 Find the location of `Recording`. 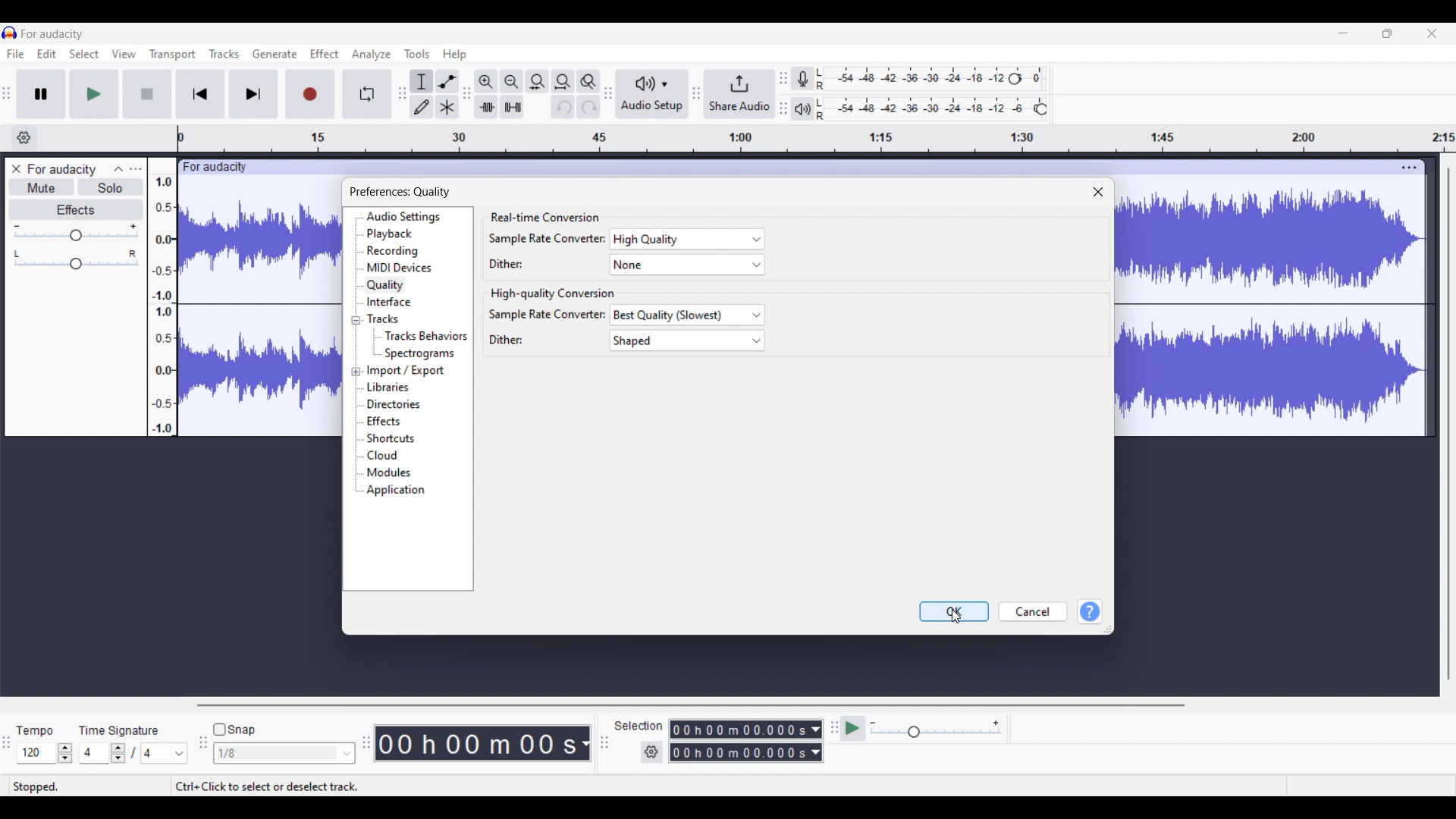

Recording is located at coordinates (393, 251).